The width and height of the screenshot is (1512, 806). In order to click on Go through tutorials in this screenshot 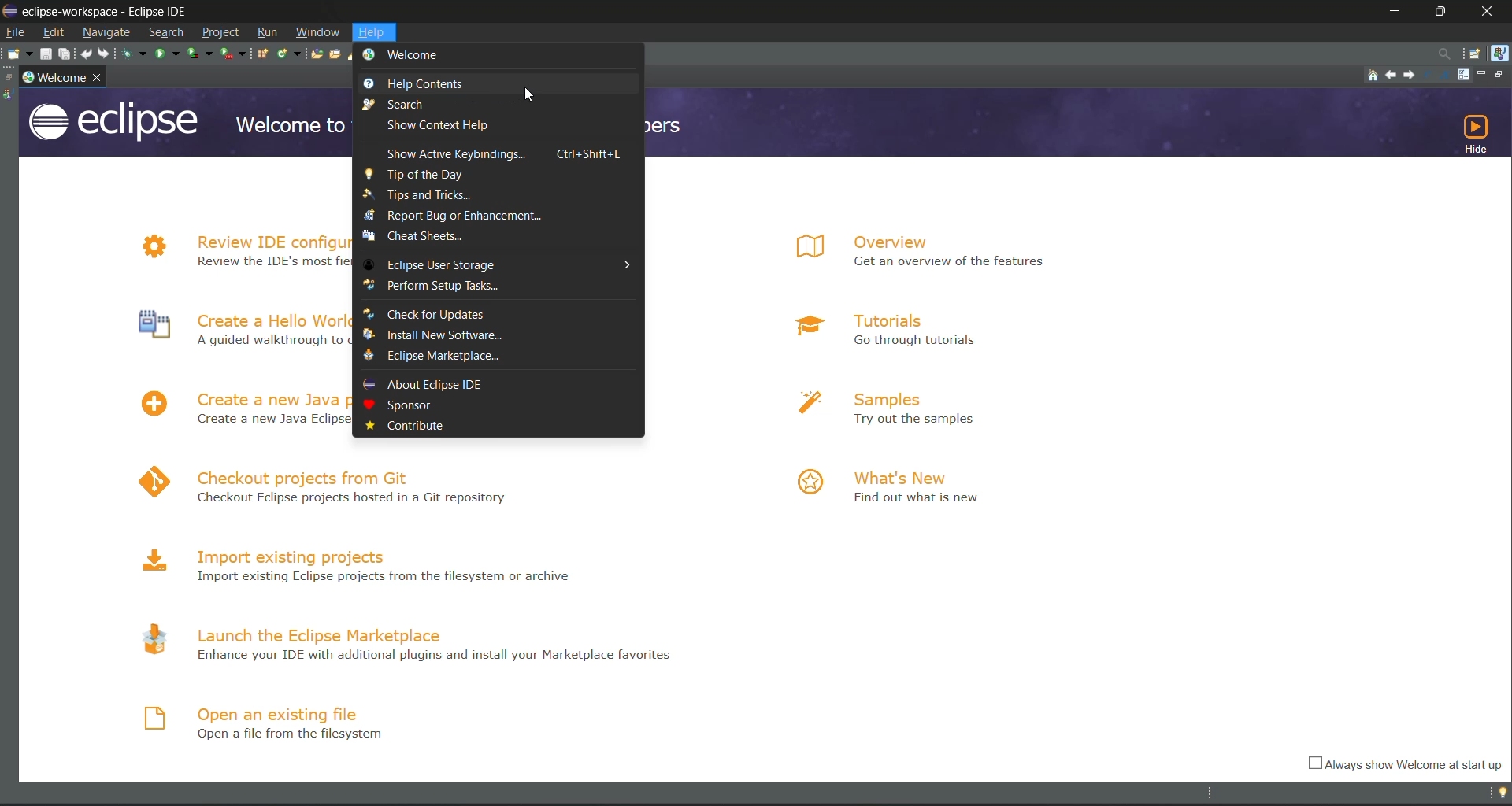, I will do `click(925, 343)`.